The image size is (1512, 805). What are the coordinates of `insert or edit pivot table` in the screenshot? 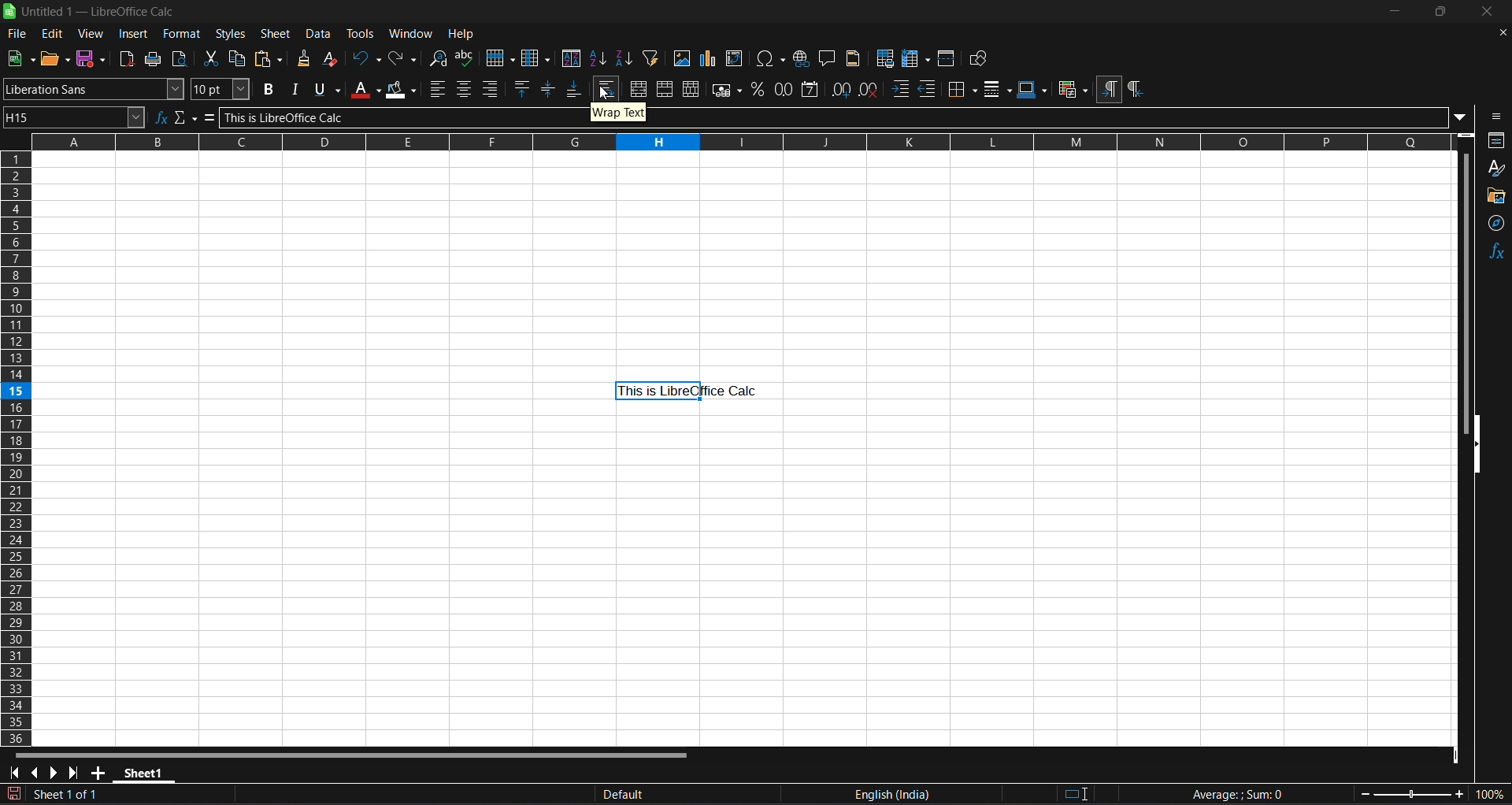 It's located at (736, 58).